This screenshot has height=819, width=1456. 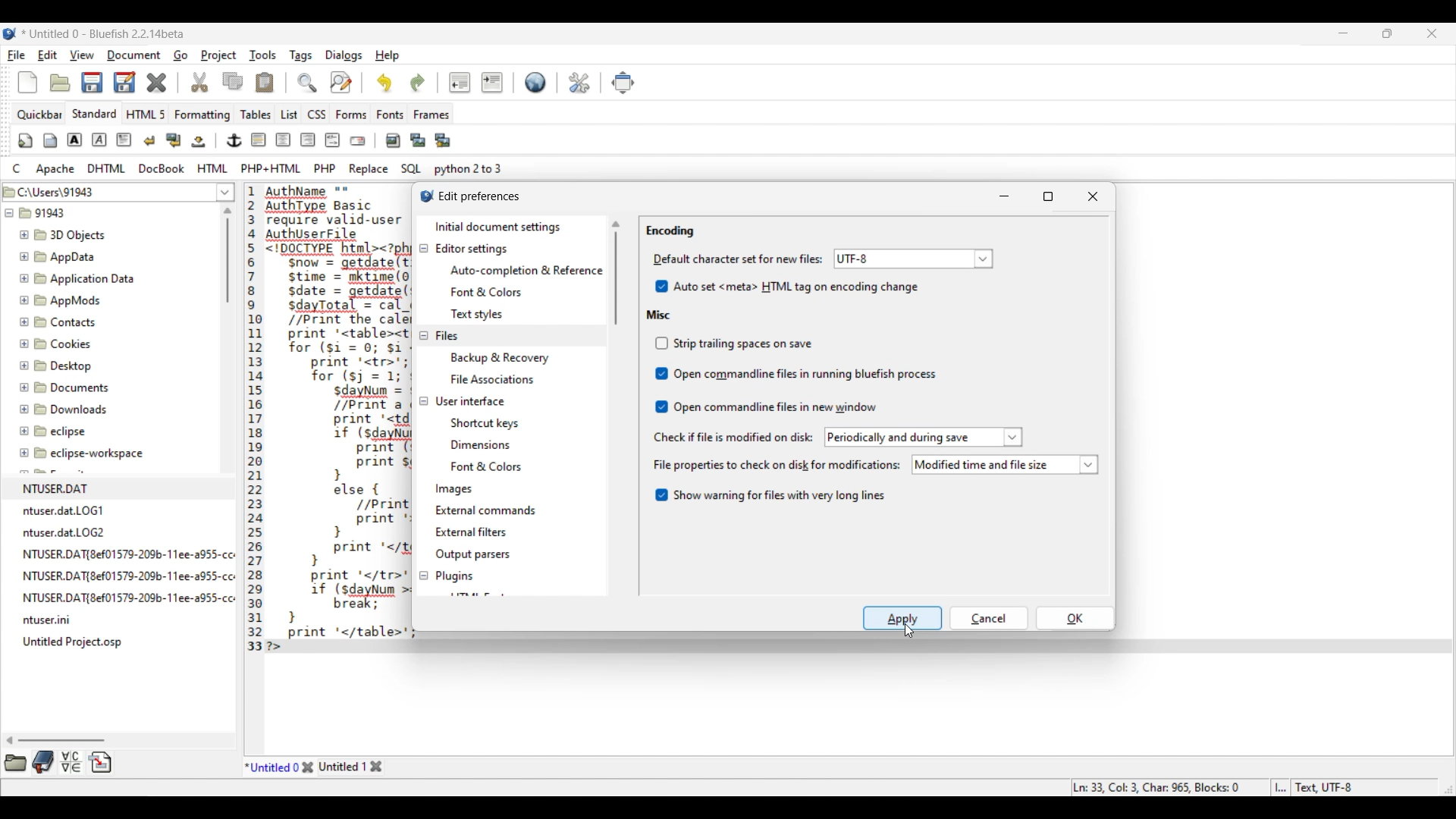 What do you see at coordinates (447, 336) in the screenshot?
I see `Files settings` at bounding box center [447, 336].